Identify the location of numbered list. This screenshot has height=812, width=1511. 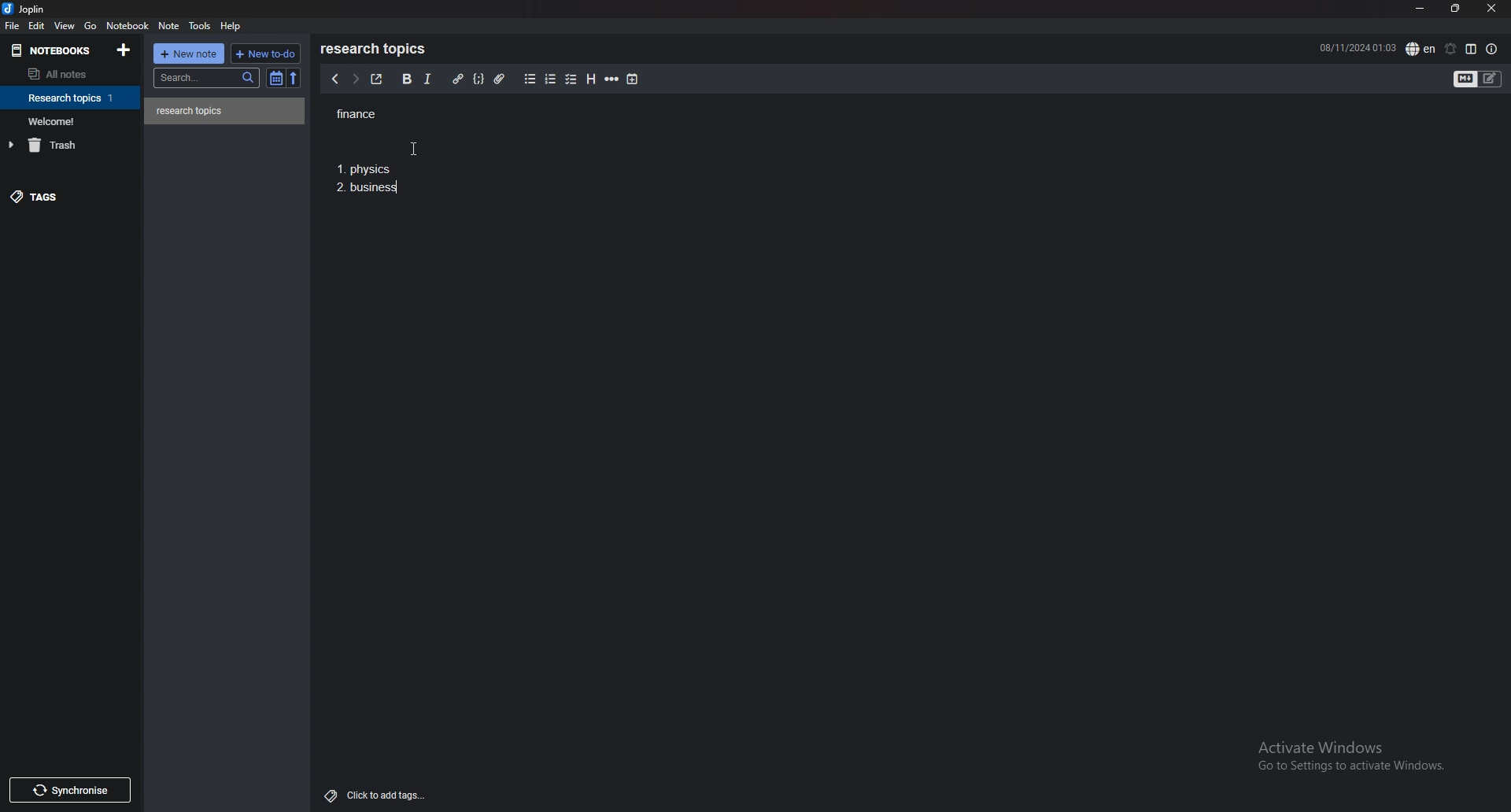
(552, 79).